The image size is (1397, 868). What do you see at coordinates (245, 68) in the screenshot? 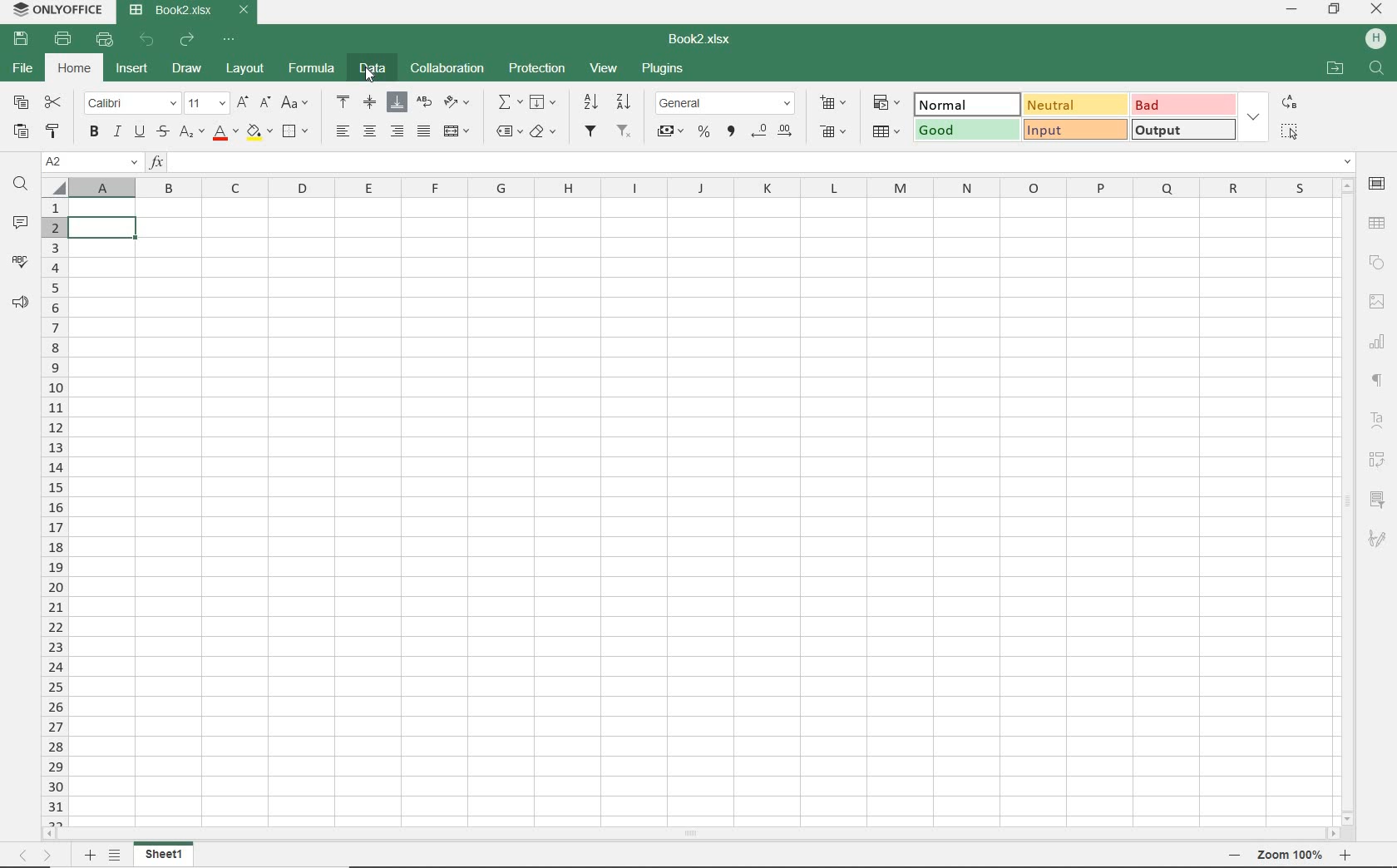
I see `LAYOUT` at bounding box center [245, 68].